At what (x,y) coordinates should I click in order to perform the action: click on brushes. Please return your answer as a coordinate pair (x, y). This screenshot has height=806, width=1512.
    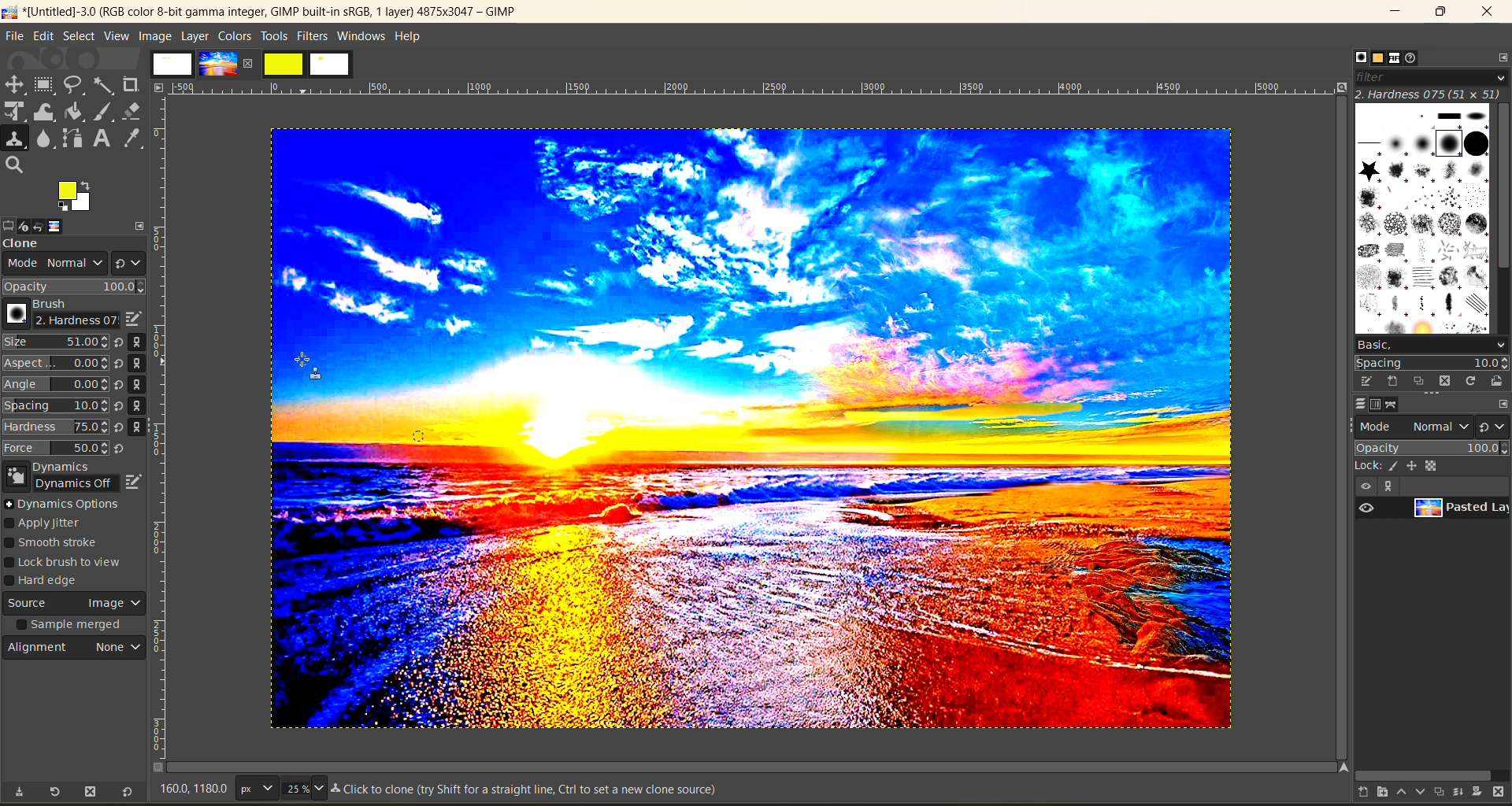
    Looking at the image, I should click on (1355, 57).